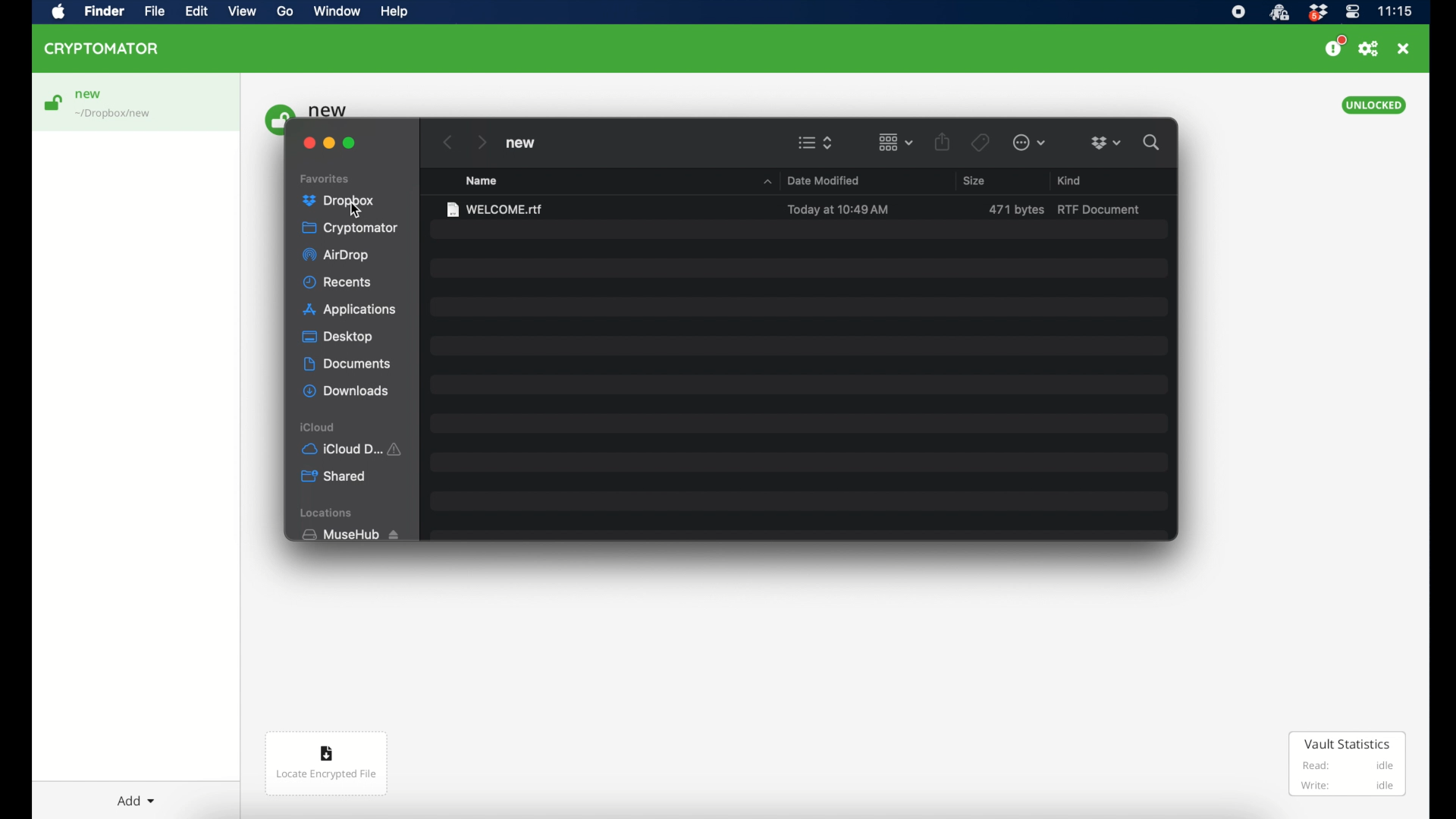  What do you see at coordinates (1369, 49) in the screenshot?
I see `preferences` at bounding box center [1369, 49].